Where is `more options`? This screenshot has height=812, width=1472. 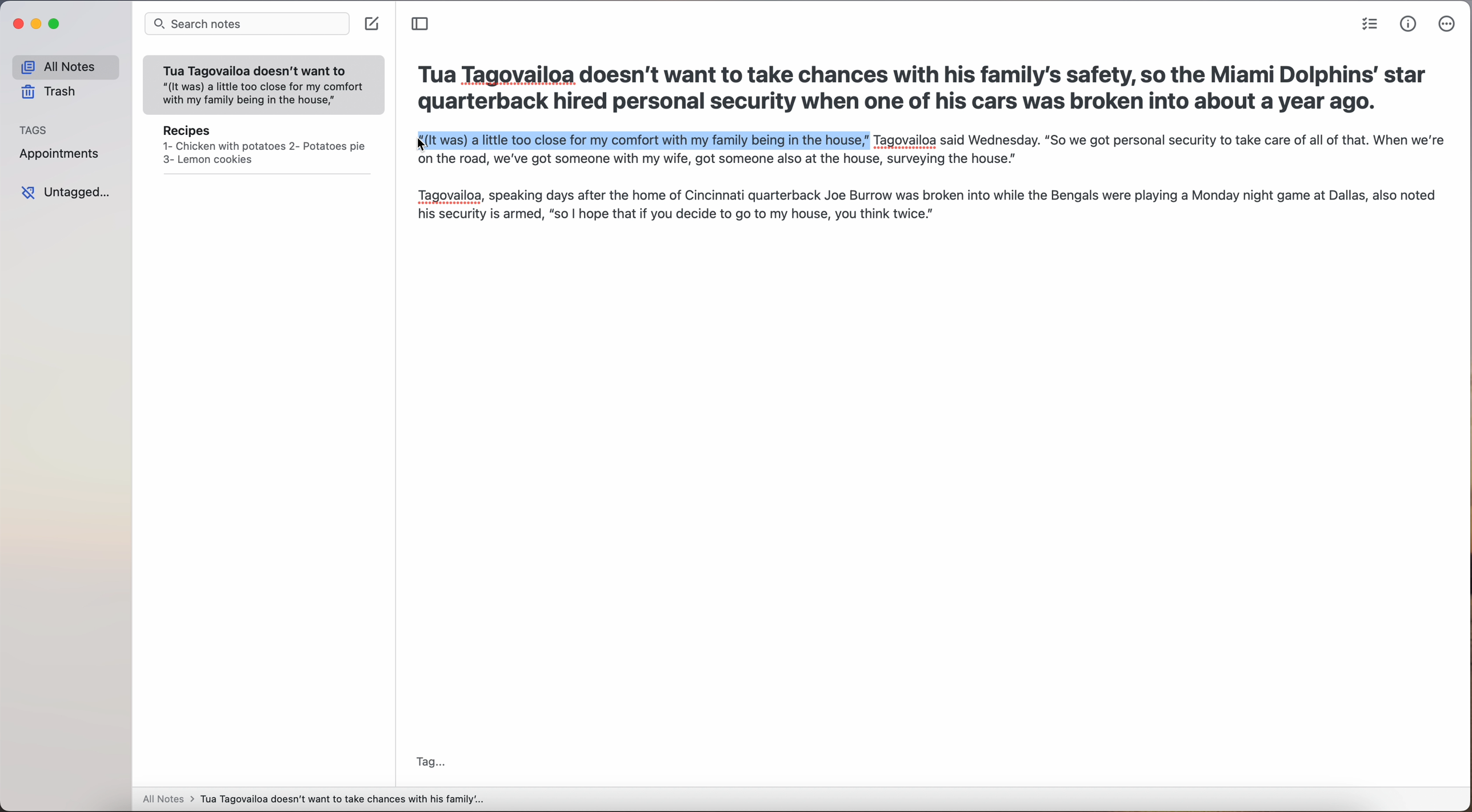 more options is located at coordinates (1448, 24).